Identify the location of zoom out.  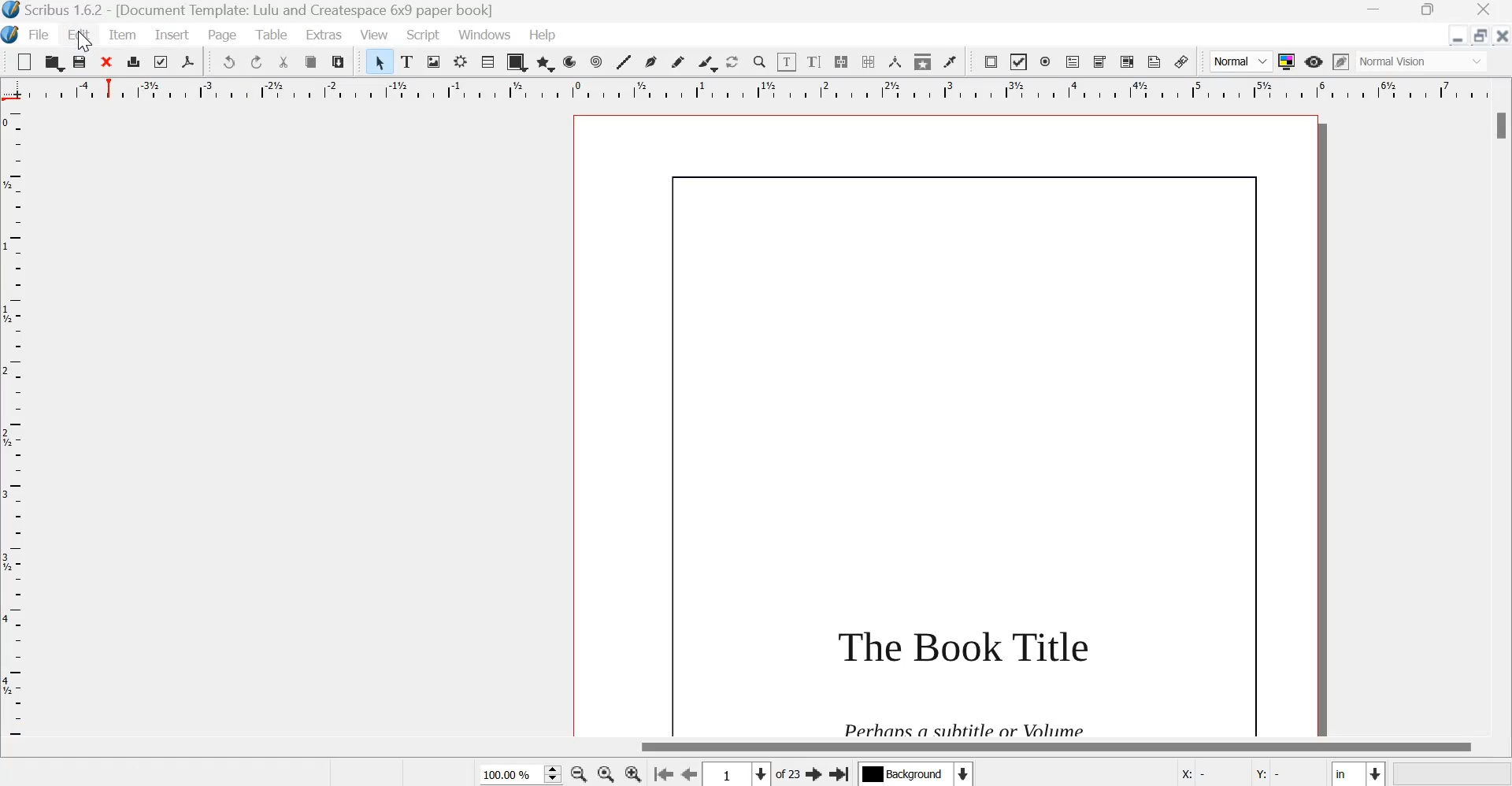
(580, 773).